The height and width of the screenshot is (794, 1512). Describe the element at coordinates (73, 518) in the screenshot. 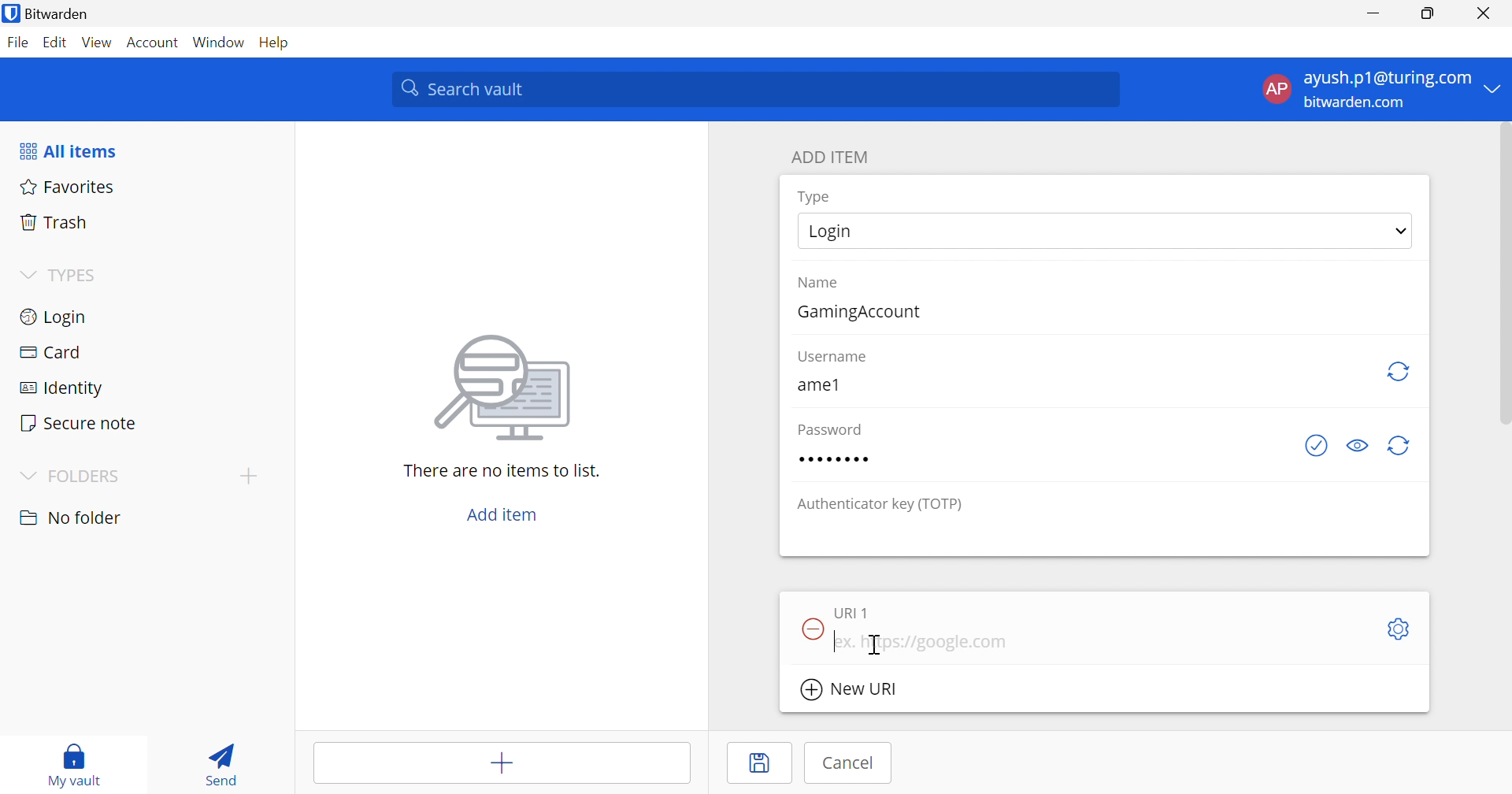

I see `No folder` at that location.